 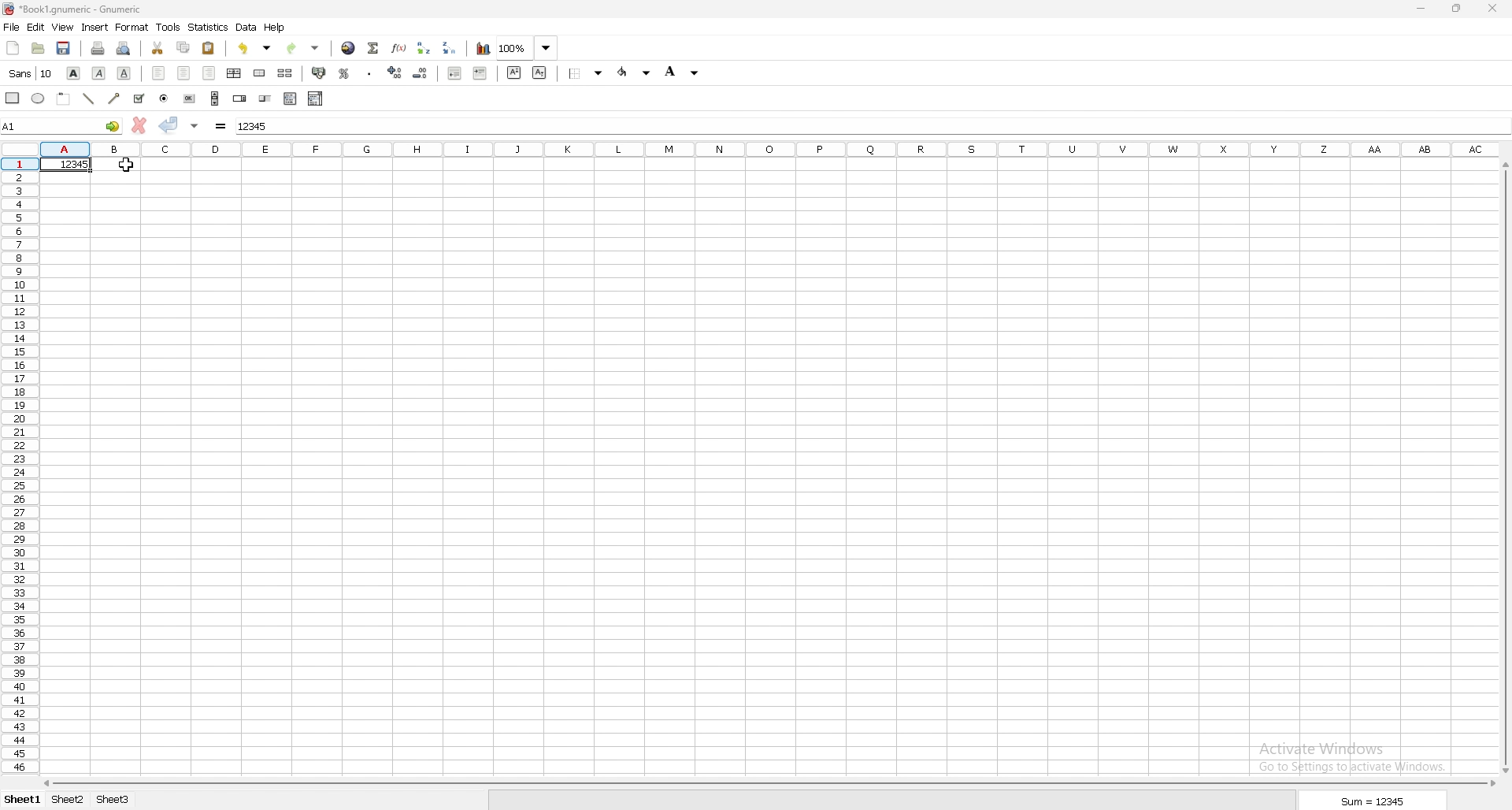 I want to click on print, so click(x=98, y=47).